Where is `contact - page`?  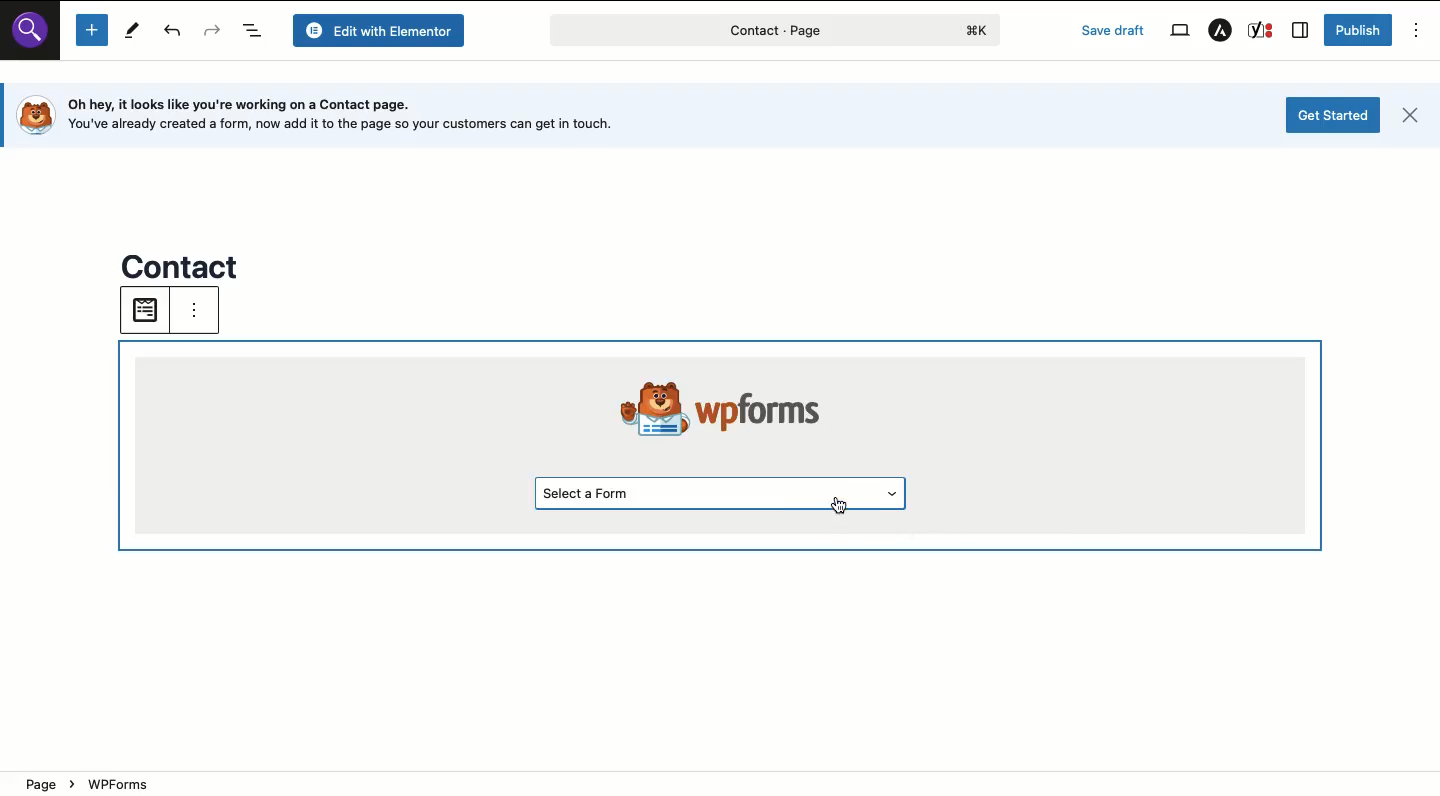 contact - page is located at coordinates (706, 34).